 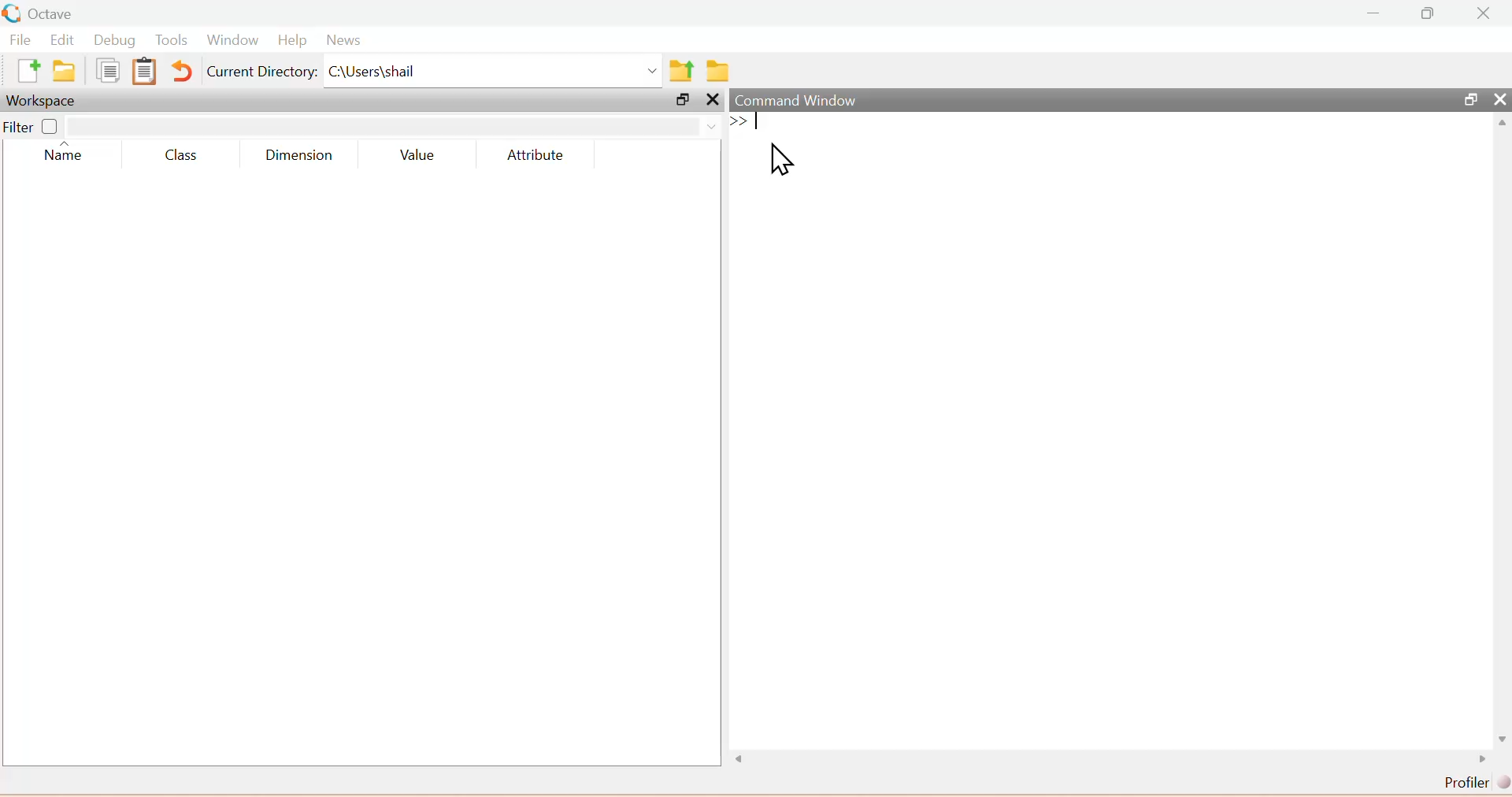 What do you see at coordinates (761, 122) in the screenshot?
I see `Tap text` at bounding box center [761, 122].